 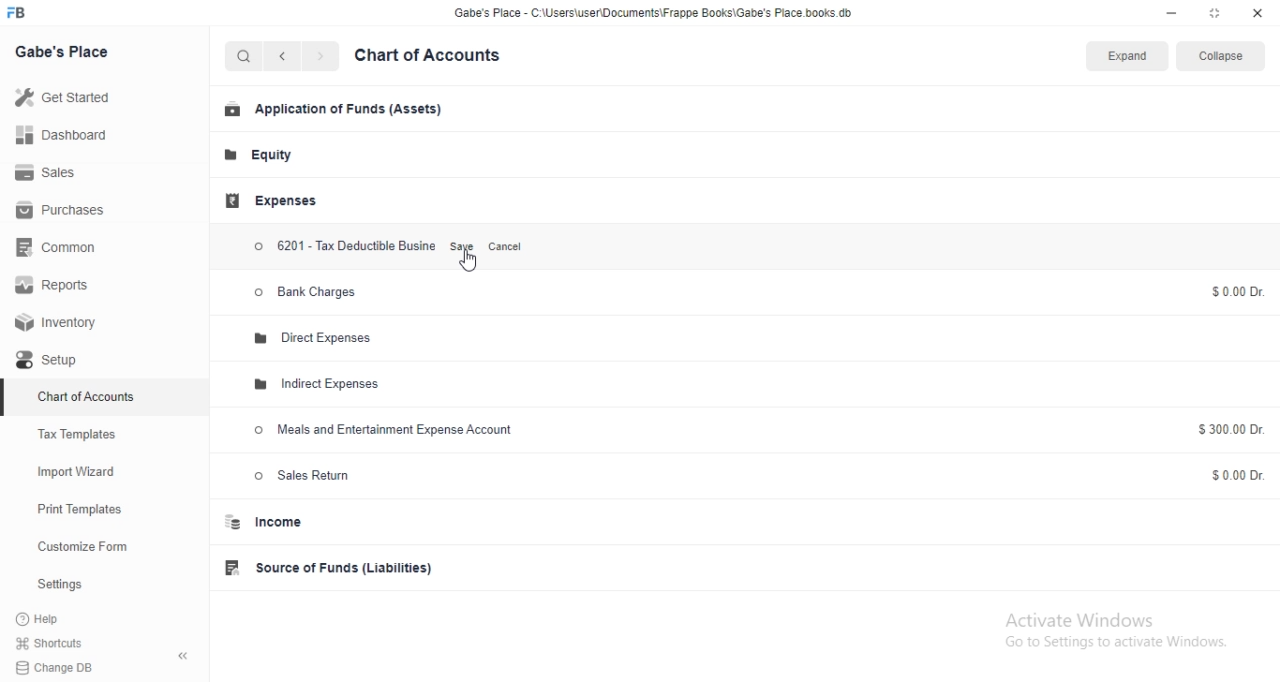 What do you see at coordinates (70, 57) in the screenshot?
I see `Gabe's Place` at bounding box center [70, 57].